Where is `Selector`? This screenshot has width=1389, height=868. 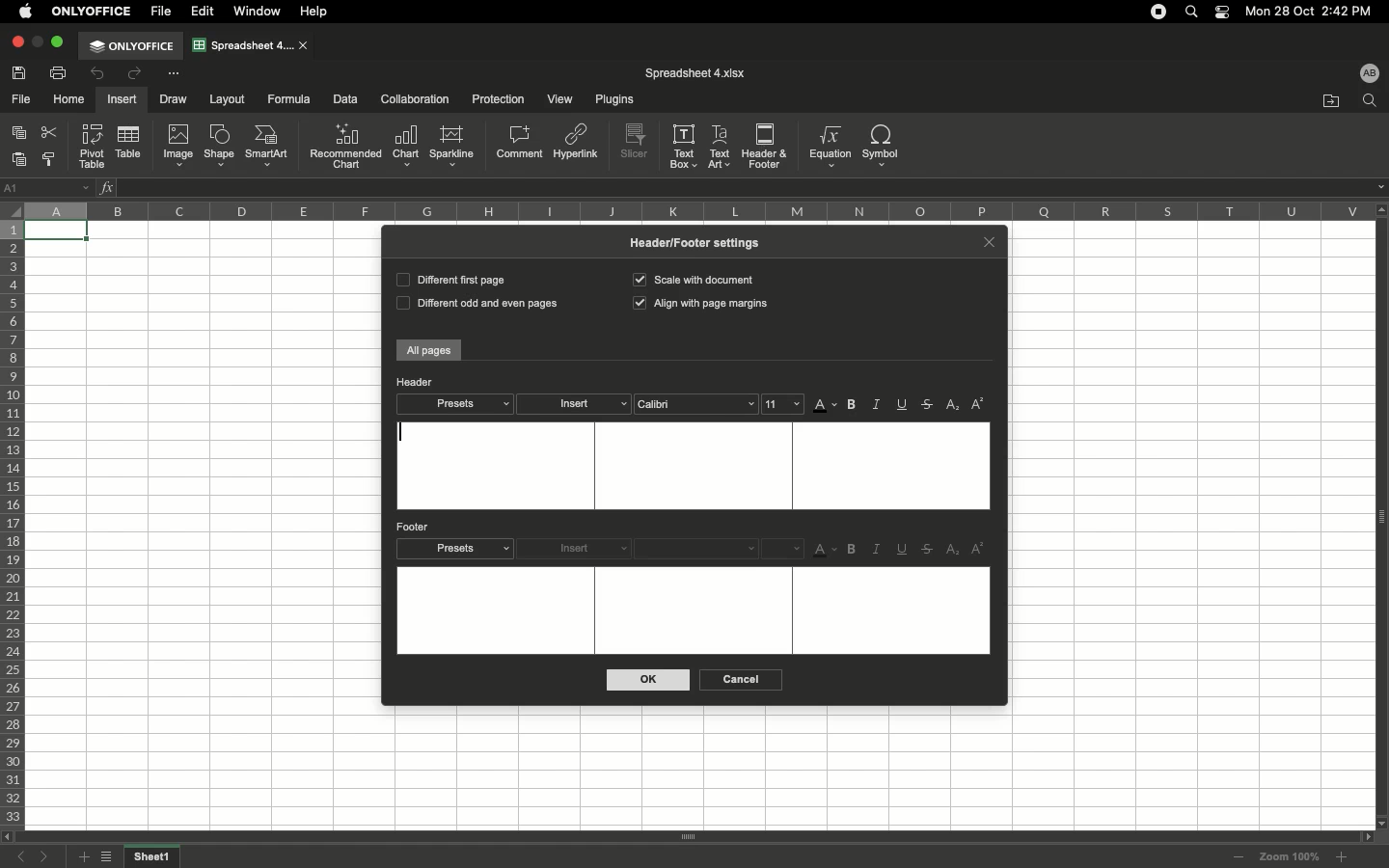 Selector is located at coordinates (11, 207).